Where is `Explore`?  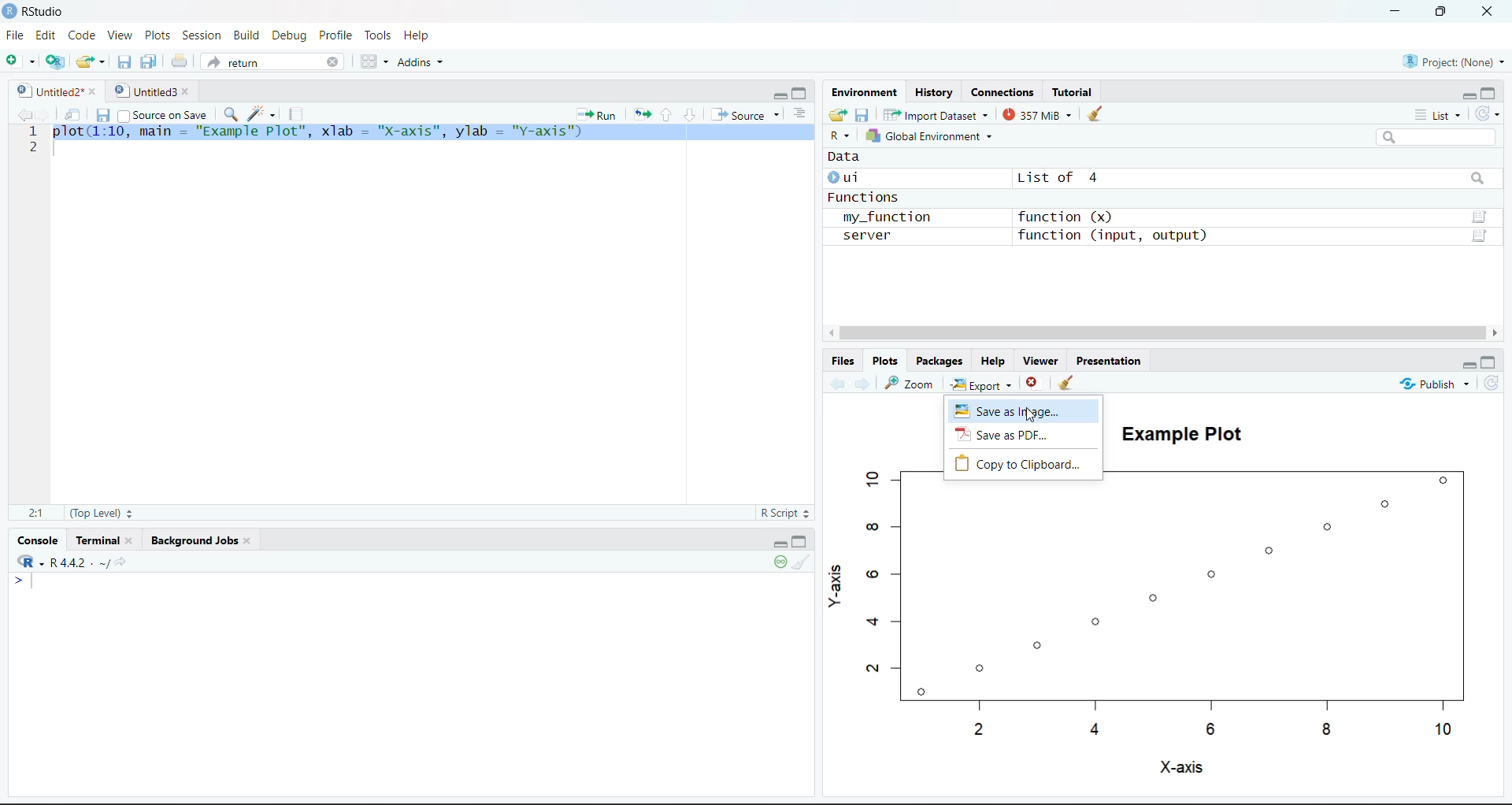
Explore is located at coordinates (984, 382).